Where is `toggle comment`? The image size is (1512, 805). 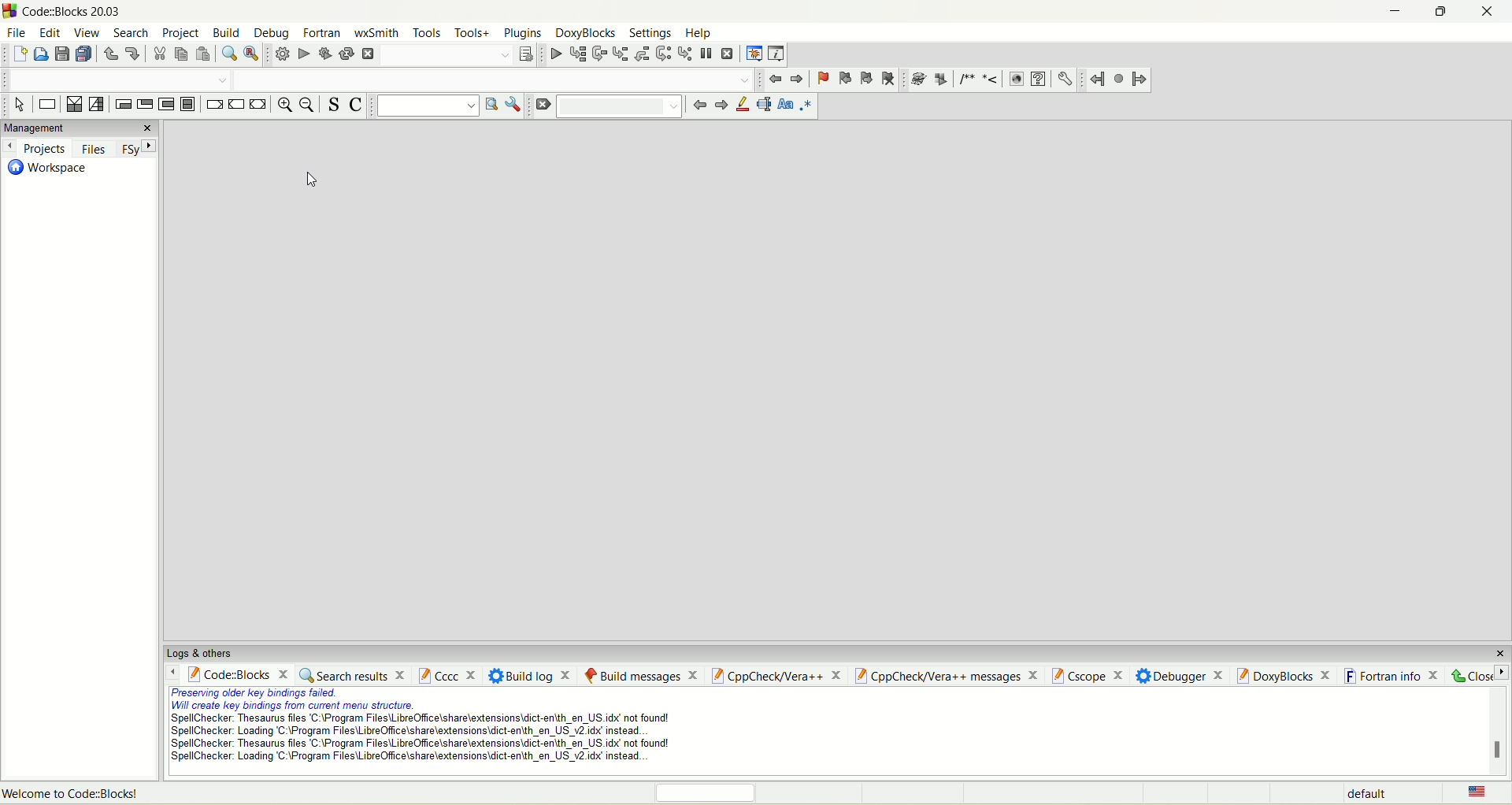
toggle comment is located at coordinates (358, 108).